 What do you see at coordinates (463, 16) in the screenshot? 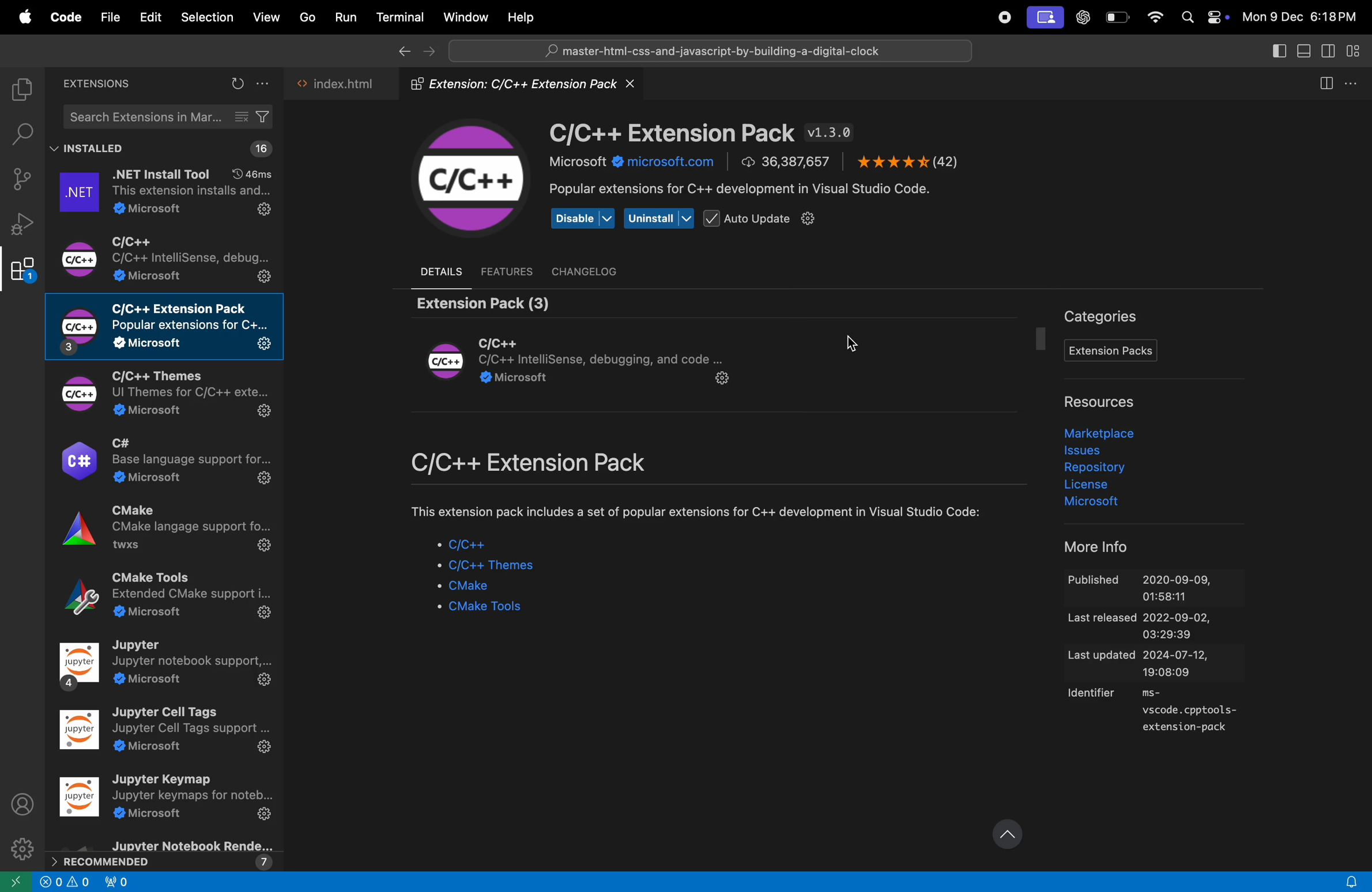
I see `Window` at bounding box center [463, 16].